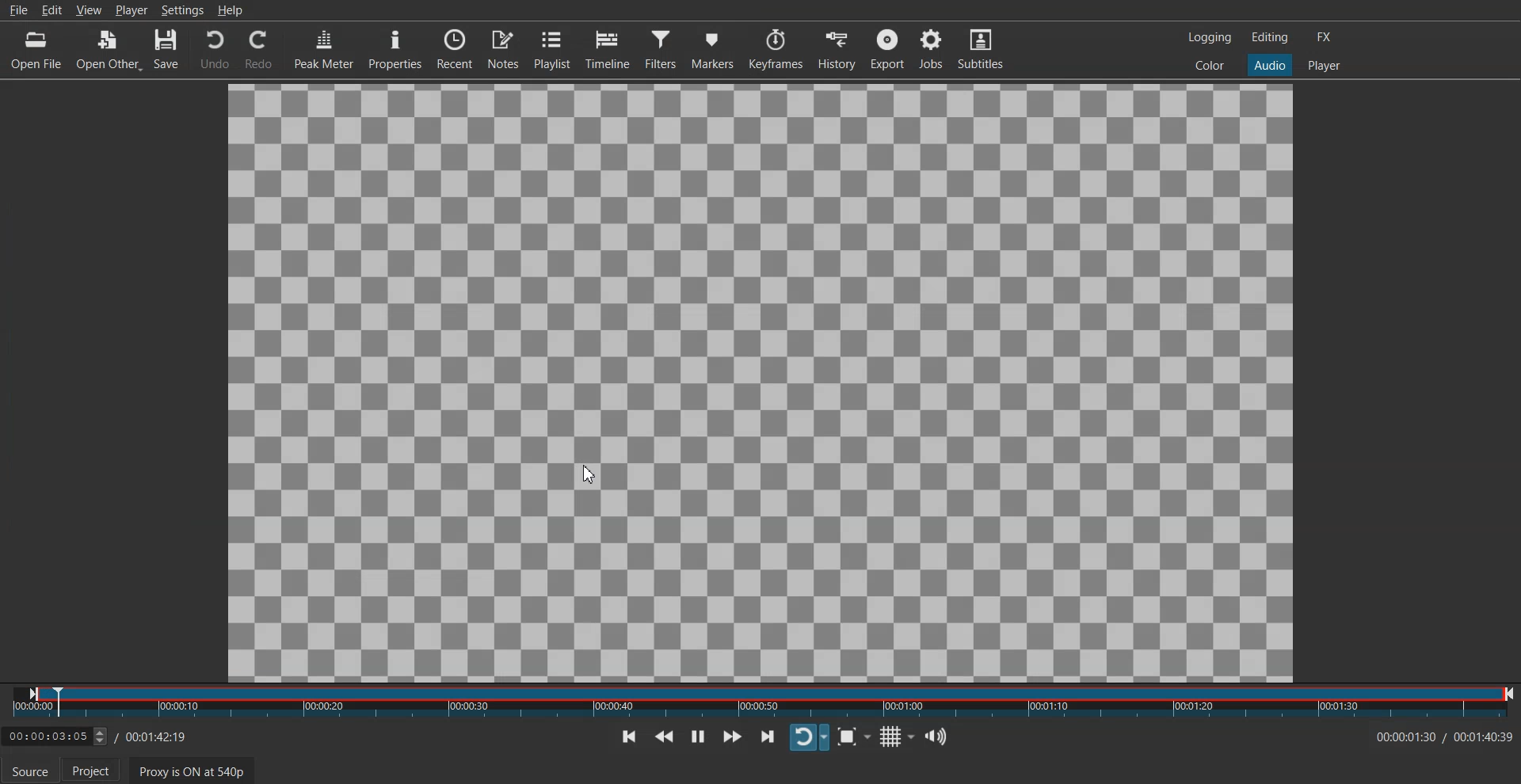  Describe the element at coordinates (503, 50) in the screenshot. I see `Notes` at that location.